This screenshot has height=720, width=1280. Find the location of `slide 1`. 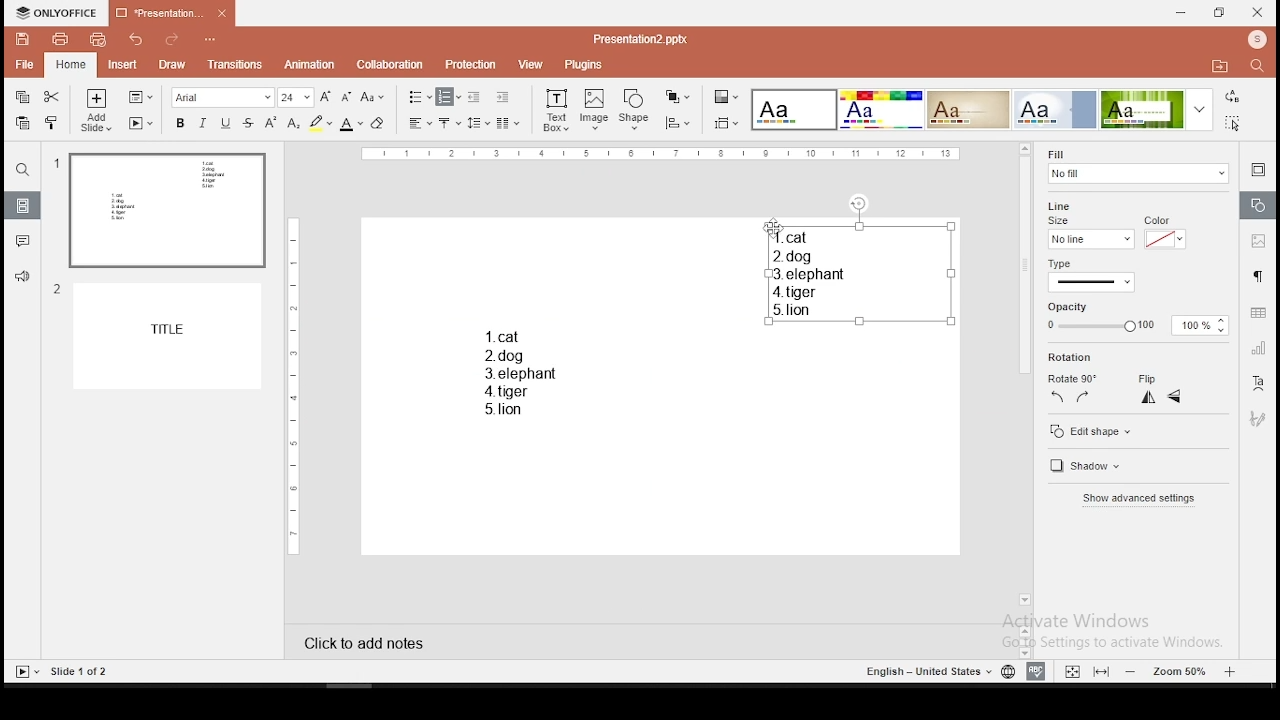

slide 1 is located at coordinates (166, 211).